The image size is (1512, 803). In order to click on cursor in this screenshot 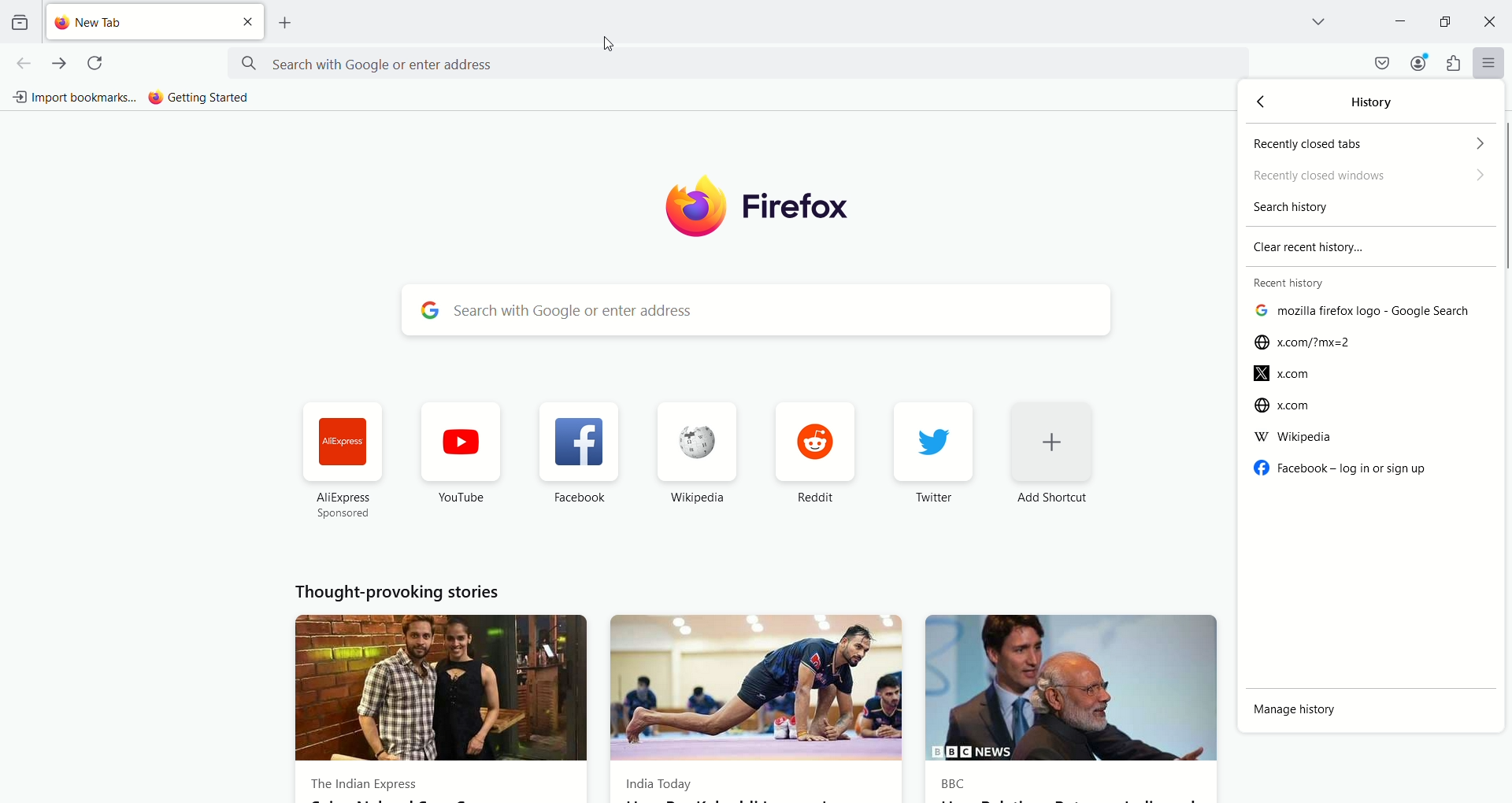, I will do `click(604, 46)`.